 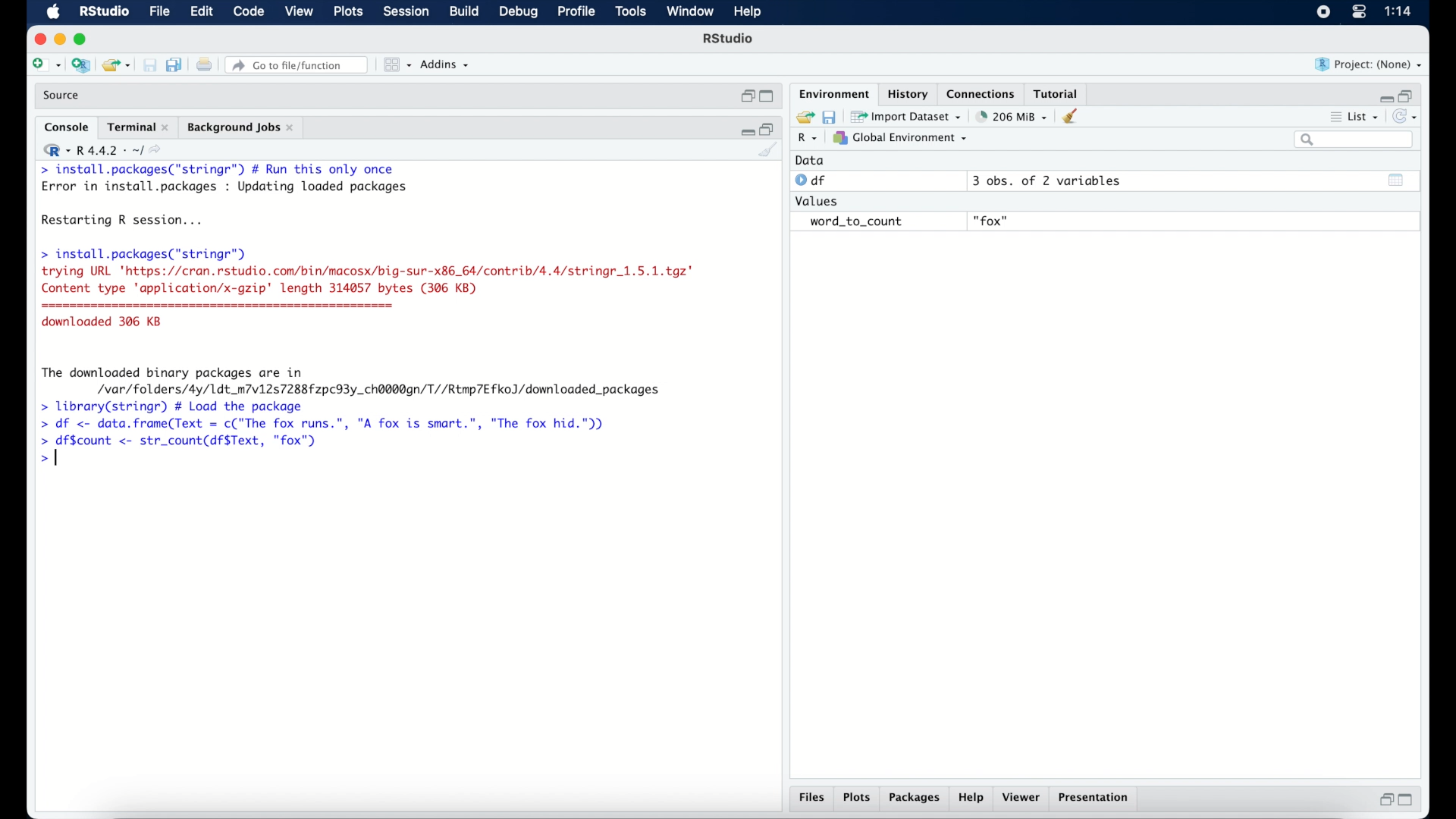 What do you see at coordinates (80, 66) in the screenshot?
I see `create new project` at bounding box center [80, 66].